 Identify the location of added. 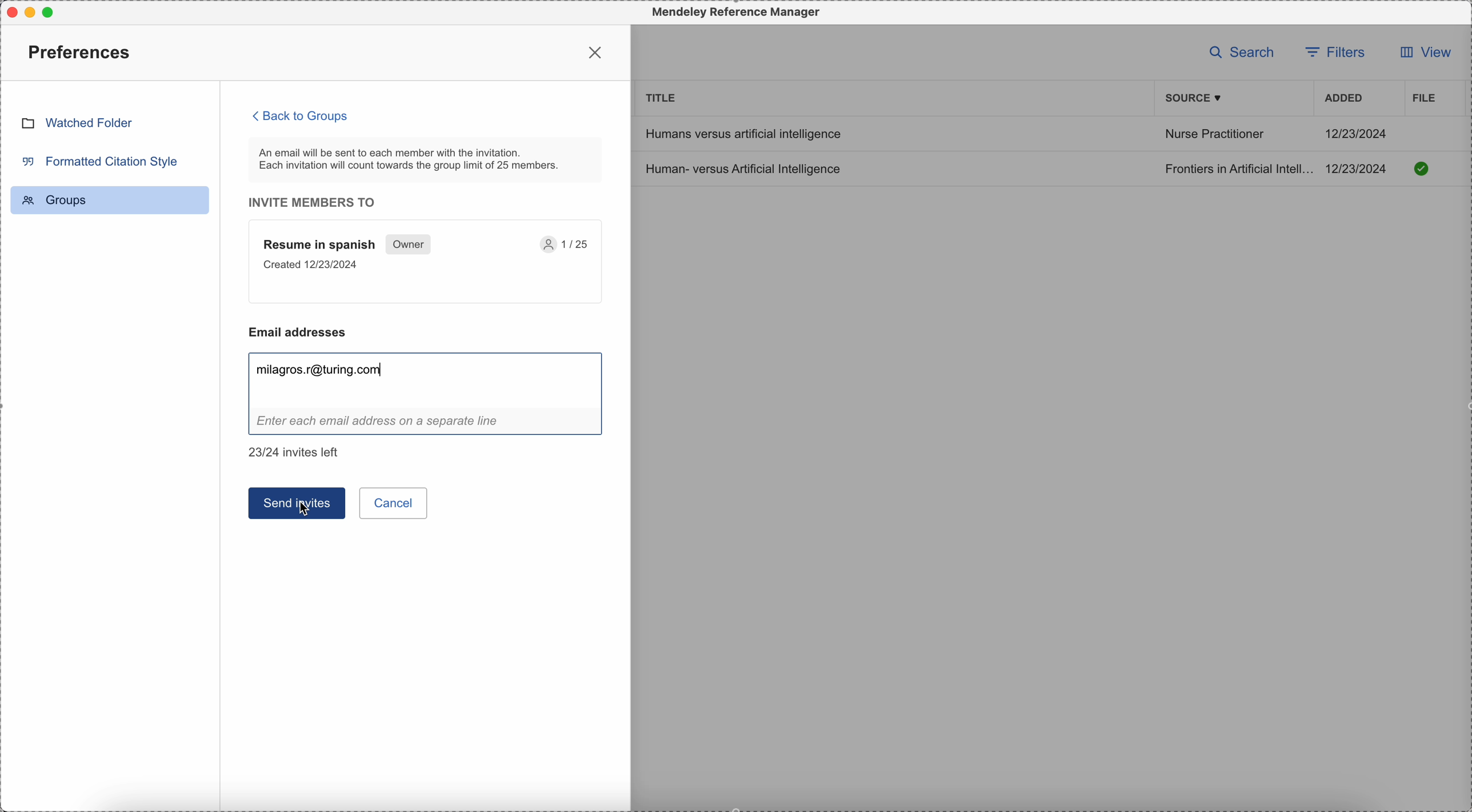
(1344, 99).